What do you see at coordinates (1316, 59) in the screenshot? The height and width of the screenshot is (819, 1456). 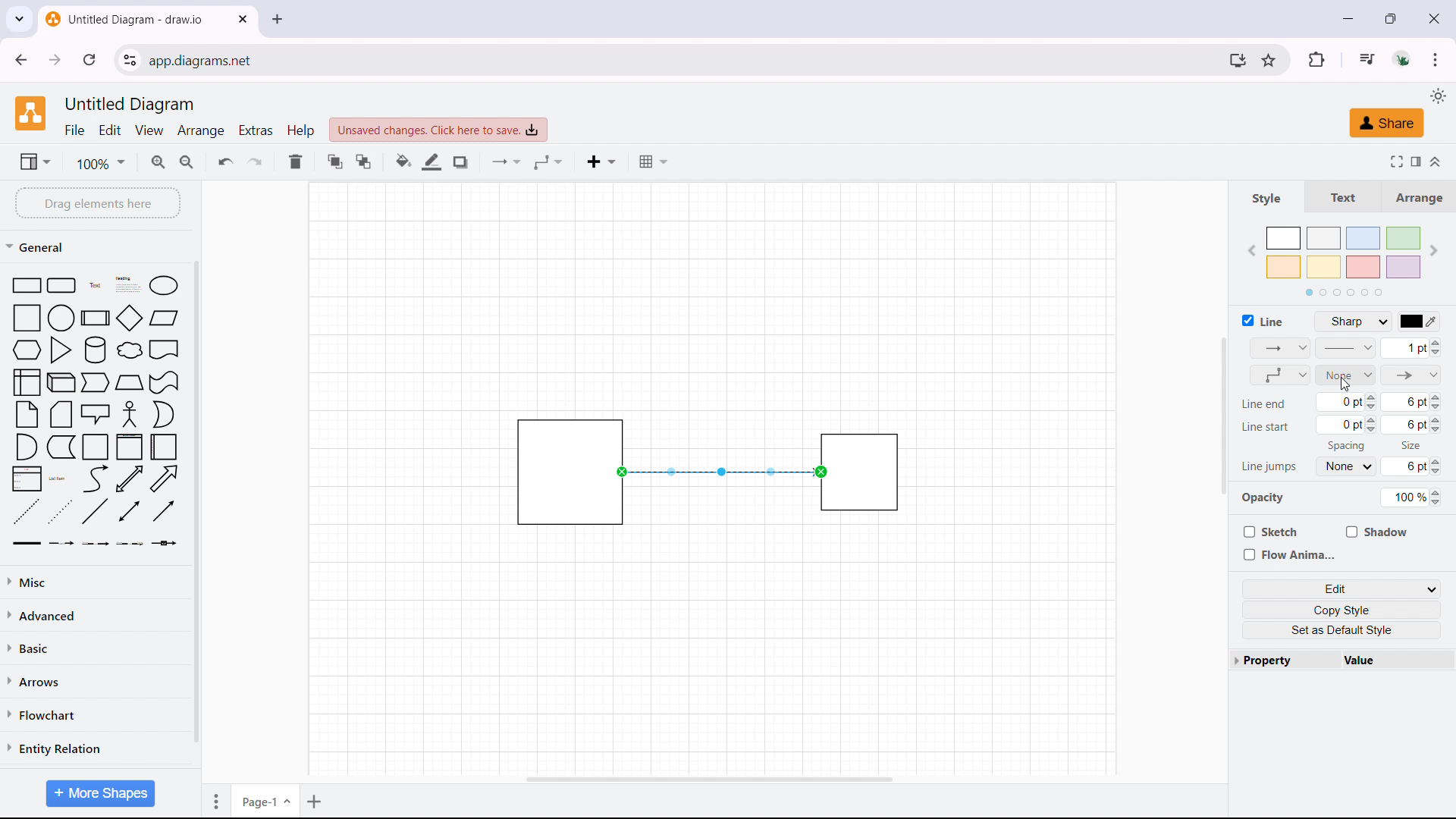 I see `extensions` at bounding box center [1316, 59].